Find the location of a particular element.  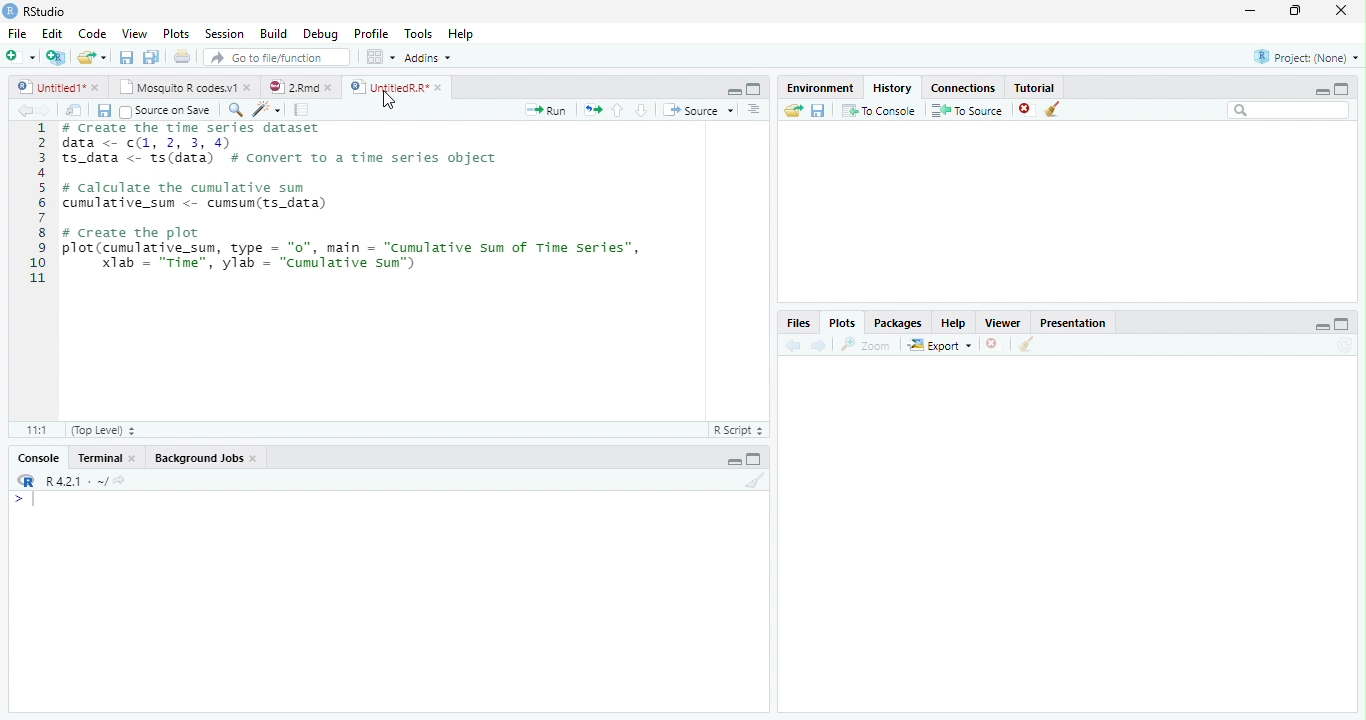

R 4.0.1 is located at coordinates (78, 479).